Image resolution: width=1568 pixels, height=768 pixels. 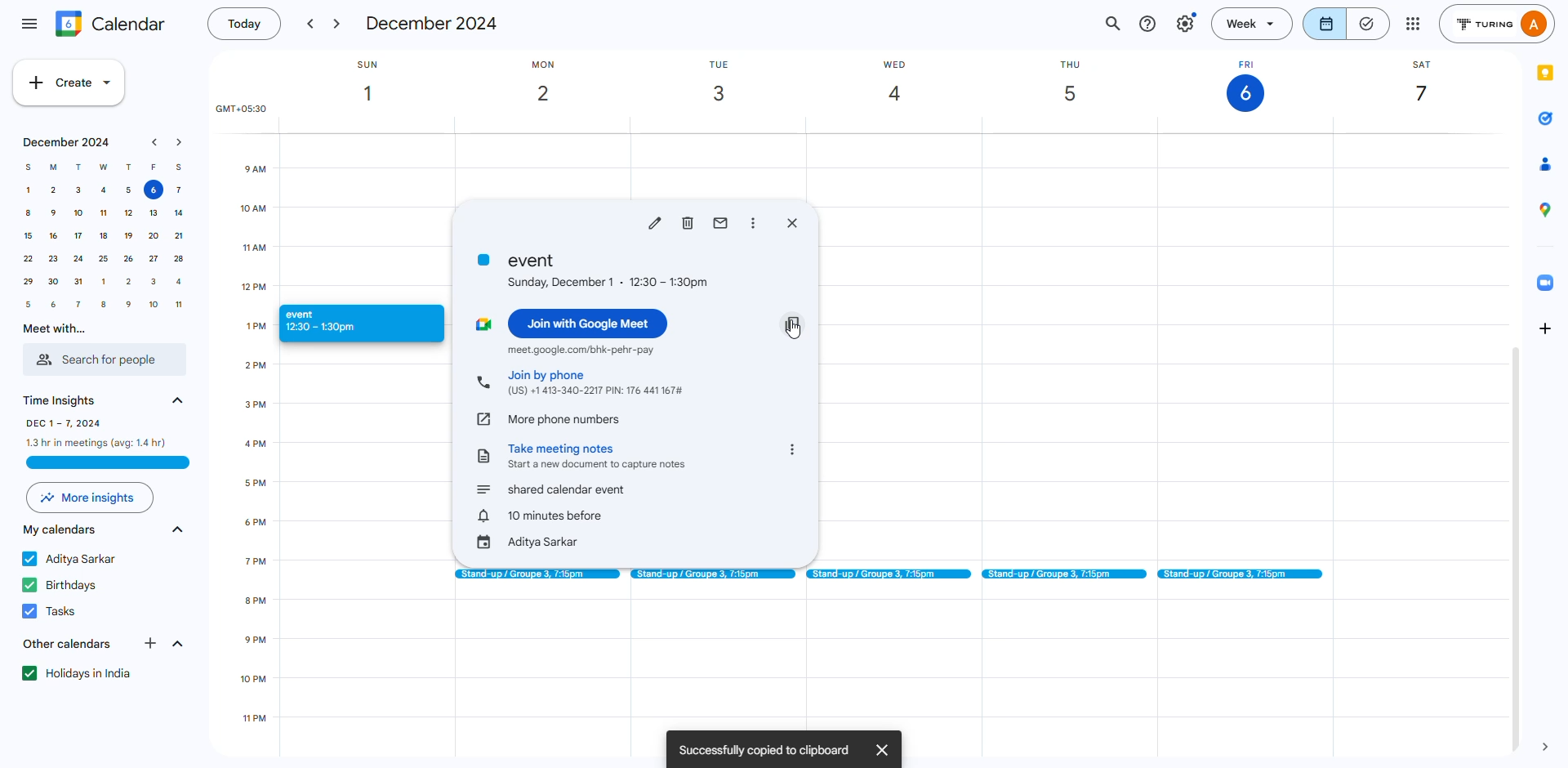 What do you see at coordinates (28, 259) in the screenshot?
I see `22` at bounding box center [28, 259].